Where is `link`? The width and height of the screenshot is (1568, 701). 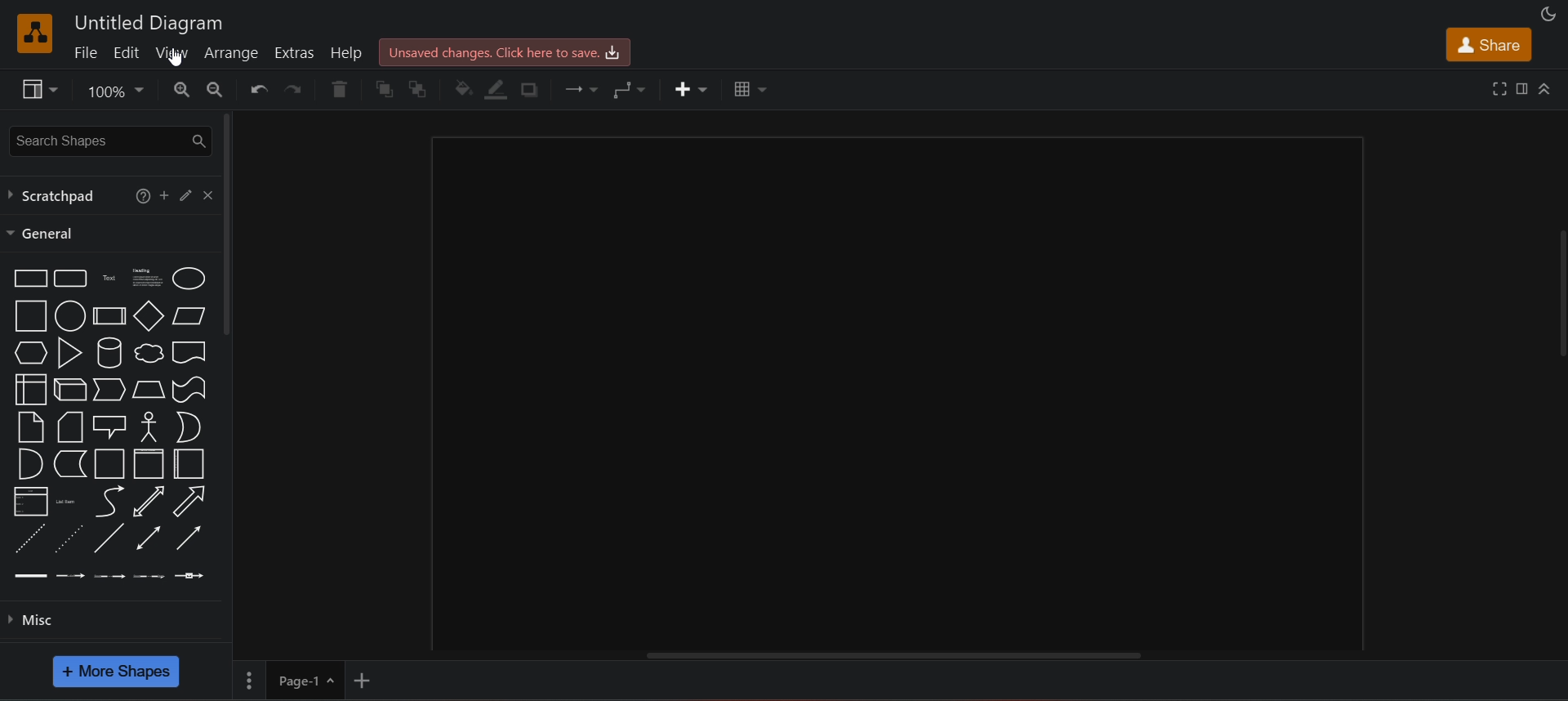 link is located at coordinates (29, 574).